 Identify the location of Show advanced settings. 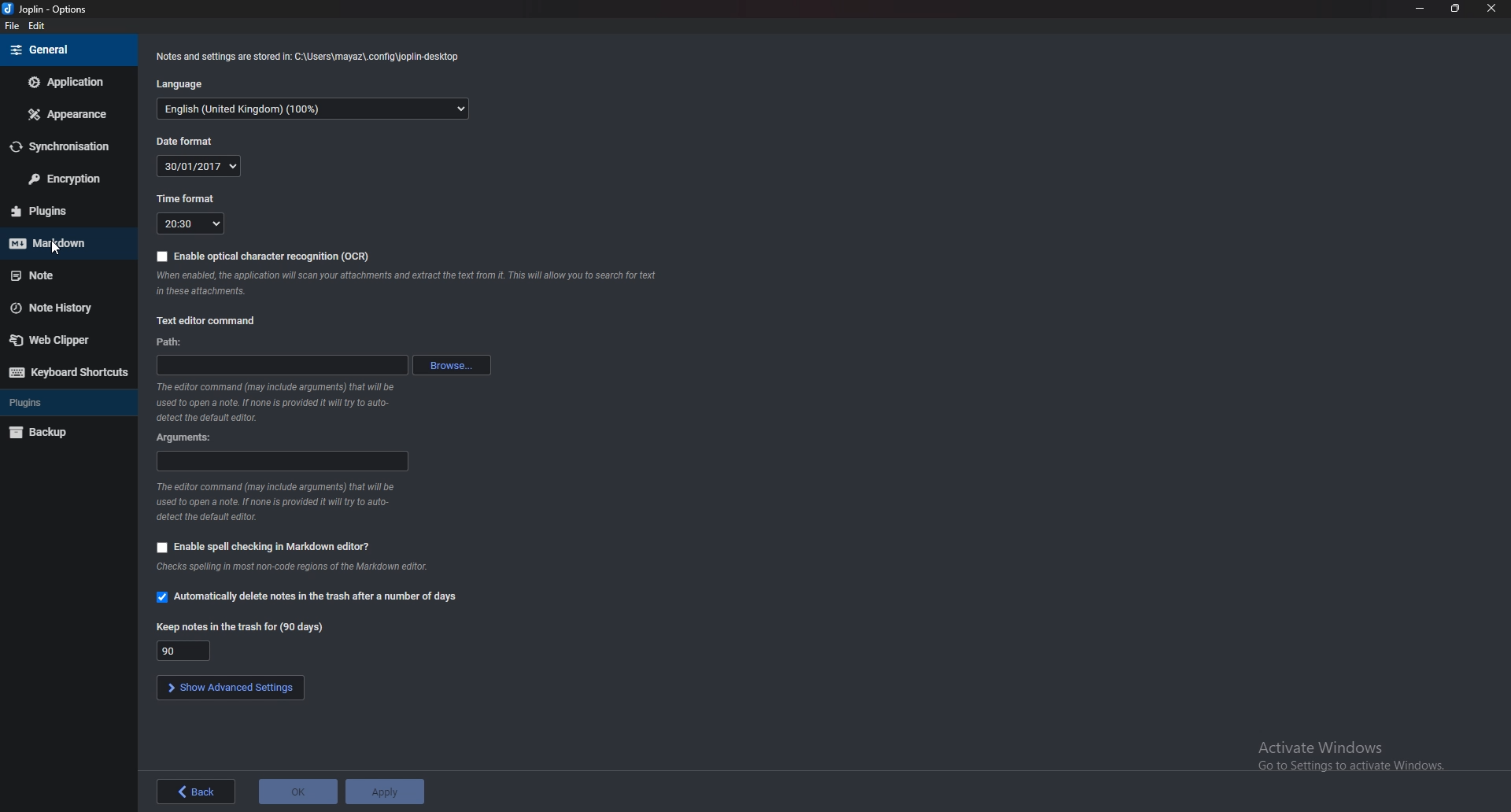
(230, 687).